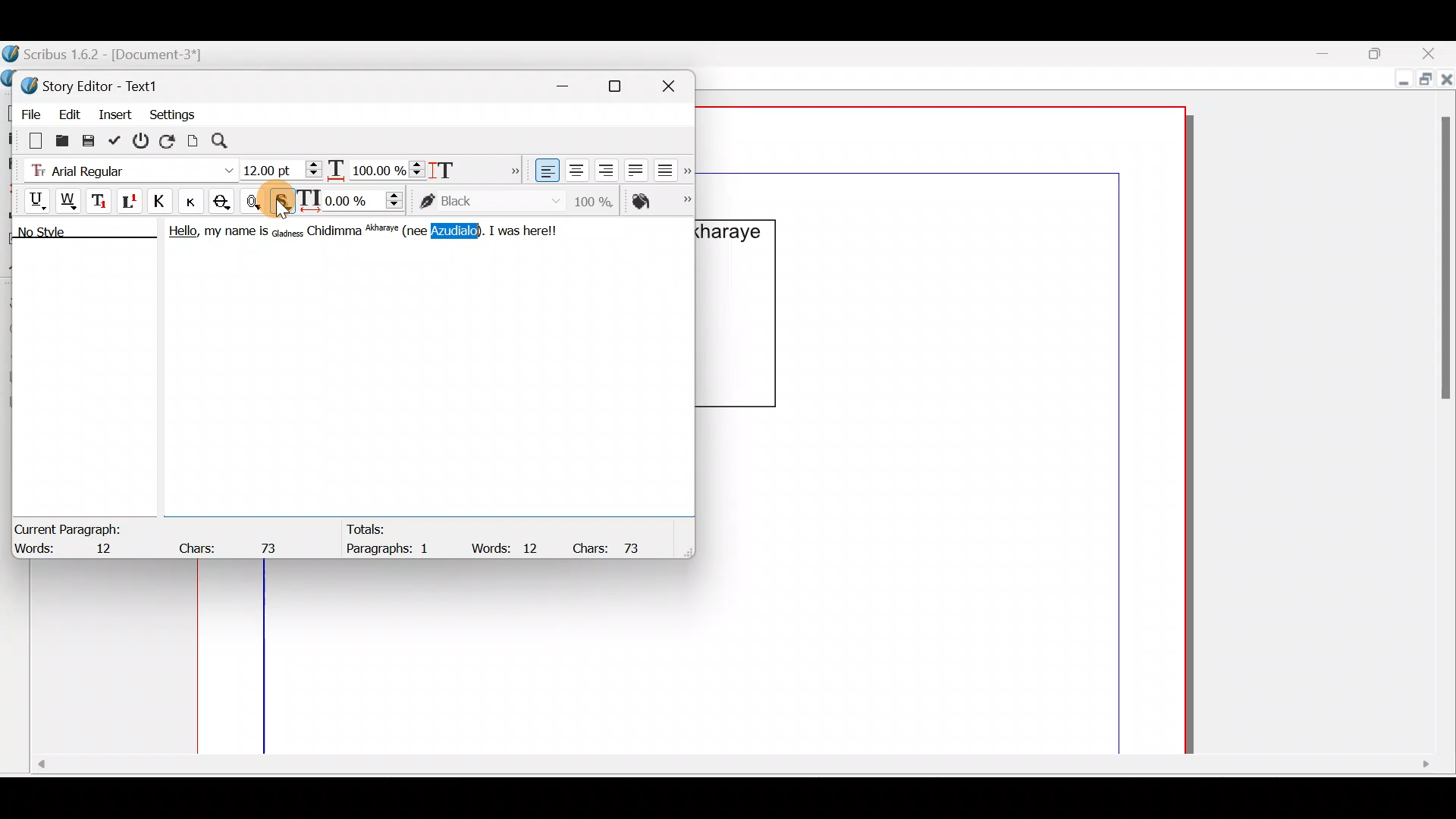 The image size is (1456, 819). I want to click on Words: 12, so click(72, 550).